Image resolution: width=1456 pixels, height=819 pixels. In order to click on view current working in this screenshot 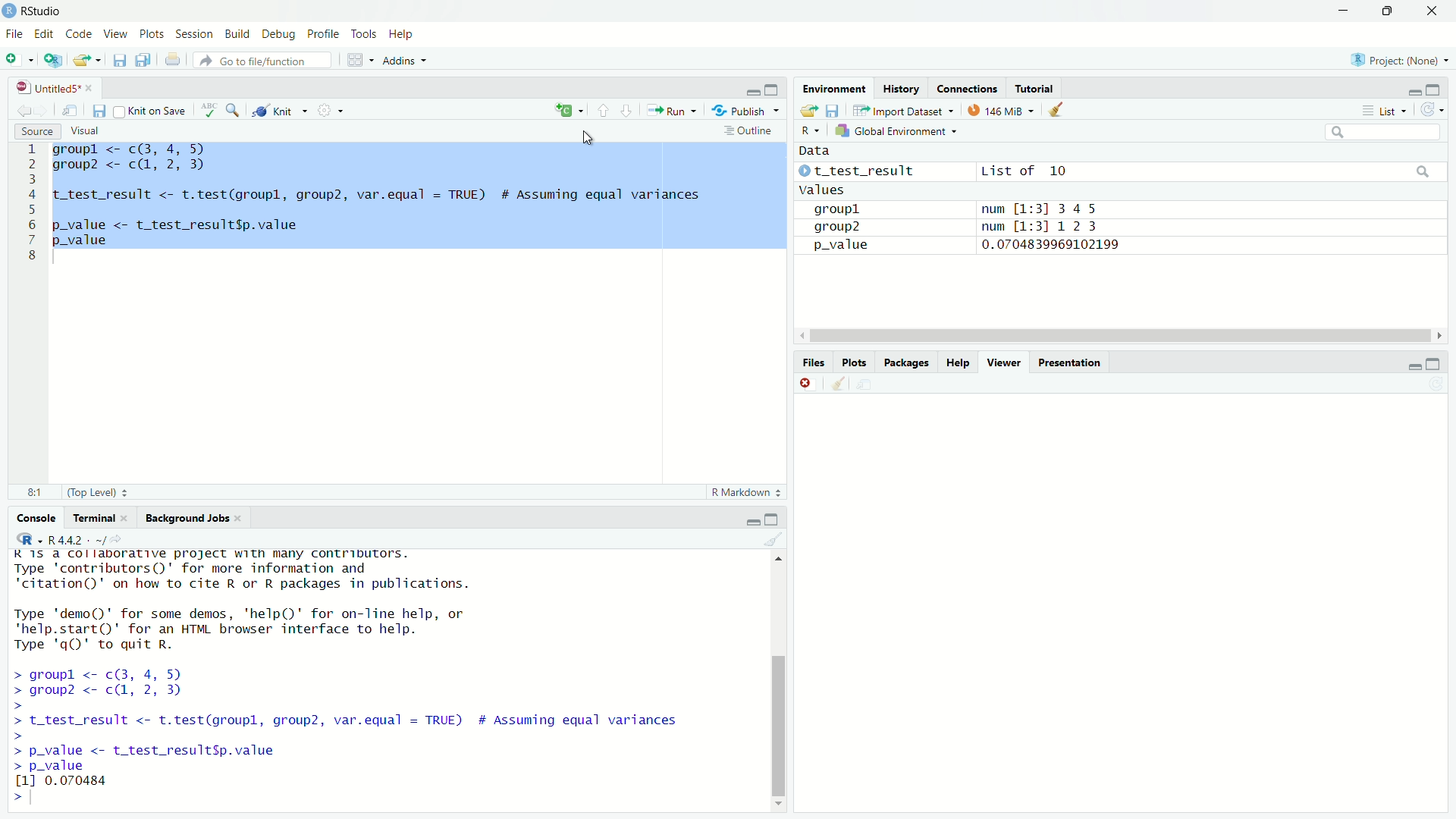, I will do `click(120, 539)`.